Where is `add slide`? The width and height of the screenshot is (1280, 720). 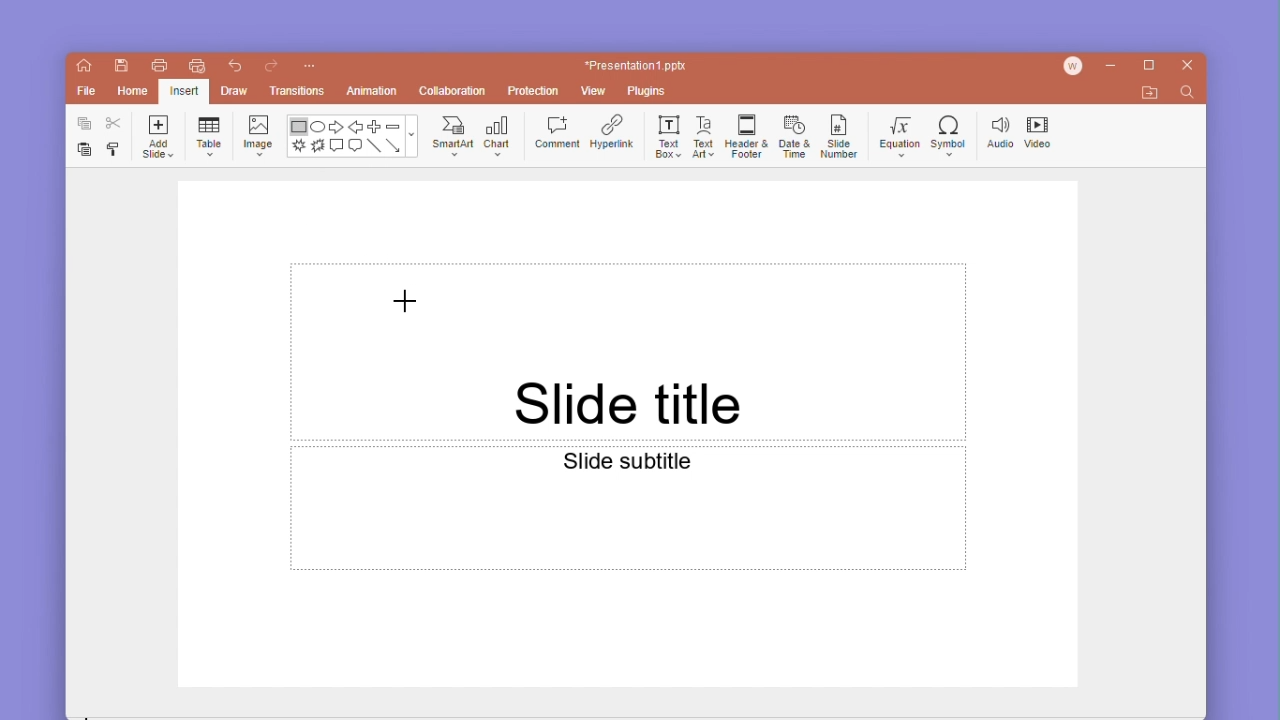
add slide is located at coordinates (157, 137).